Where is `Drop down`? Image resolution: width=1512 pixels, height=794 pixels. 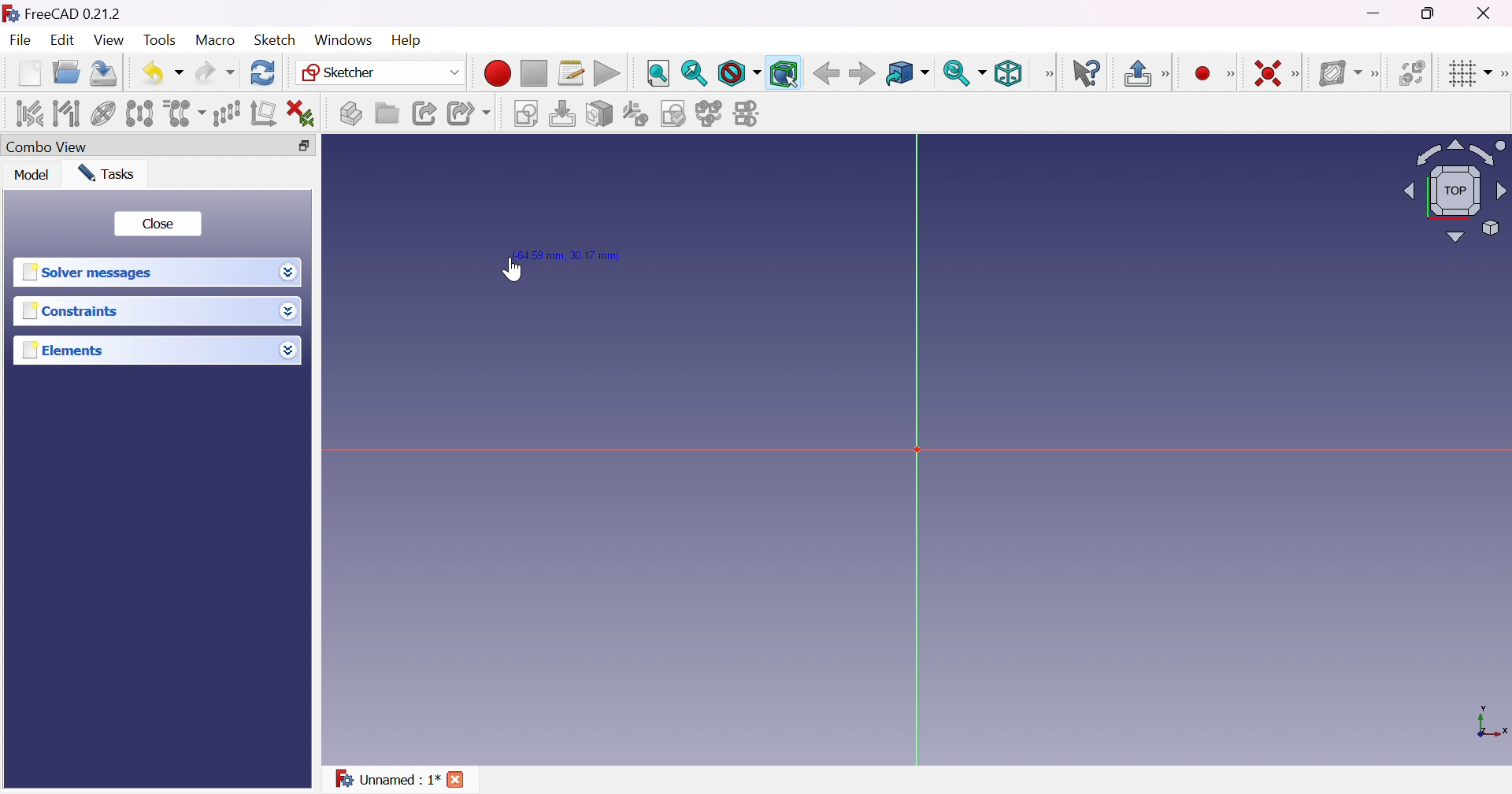
Drop down is located at coordinates (289, 272).